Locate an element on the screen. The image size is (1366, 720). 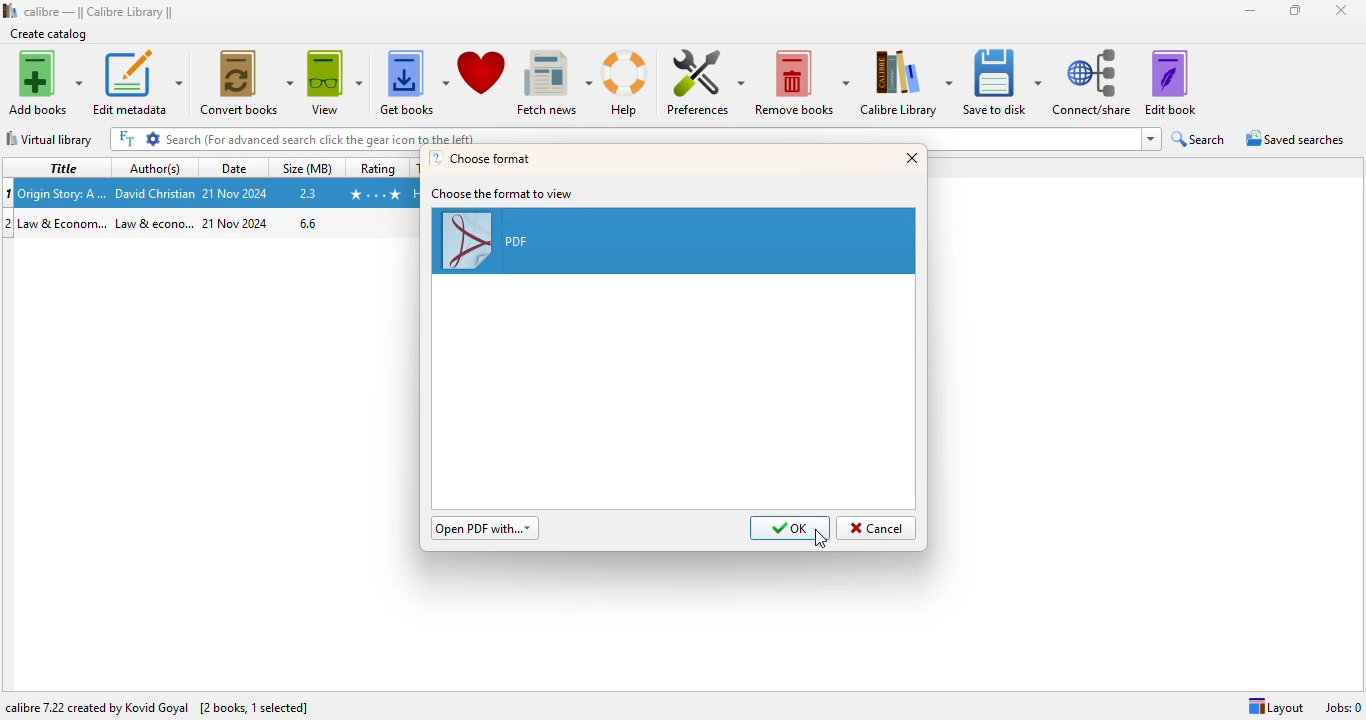
cursor is located at coordinates (821, 539).